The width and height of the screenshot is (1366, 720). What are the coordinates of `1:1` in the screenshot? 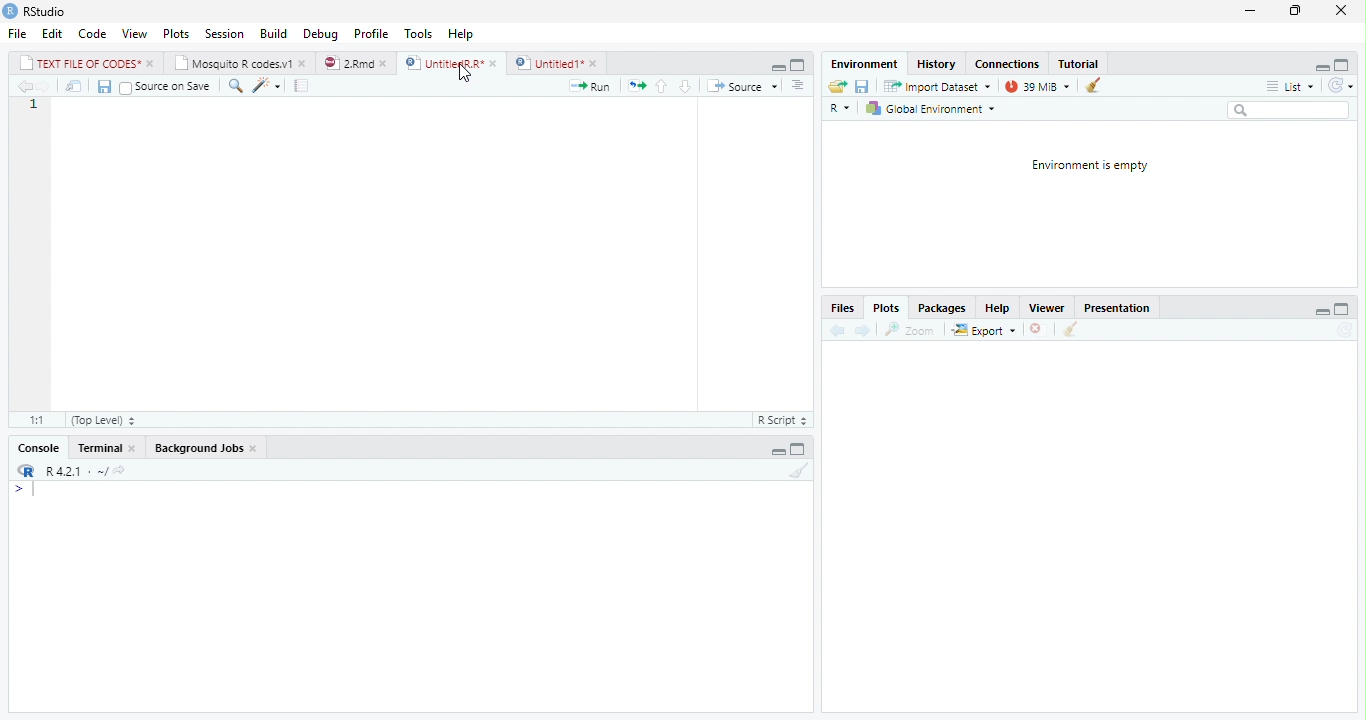 It's located at (38, 419).